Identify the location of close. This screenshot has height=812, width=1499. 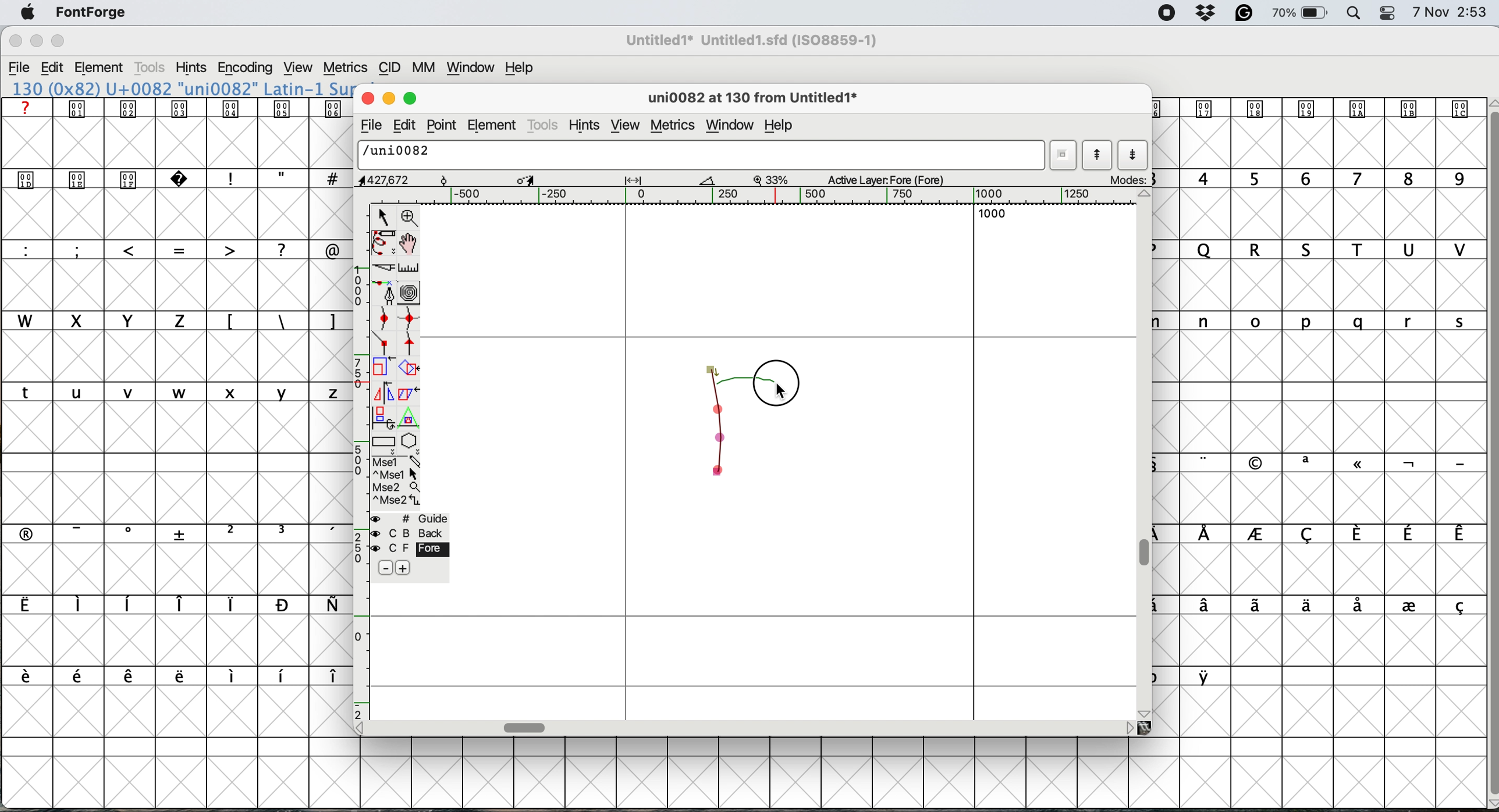
(368, 99).